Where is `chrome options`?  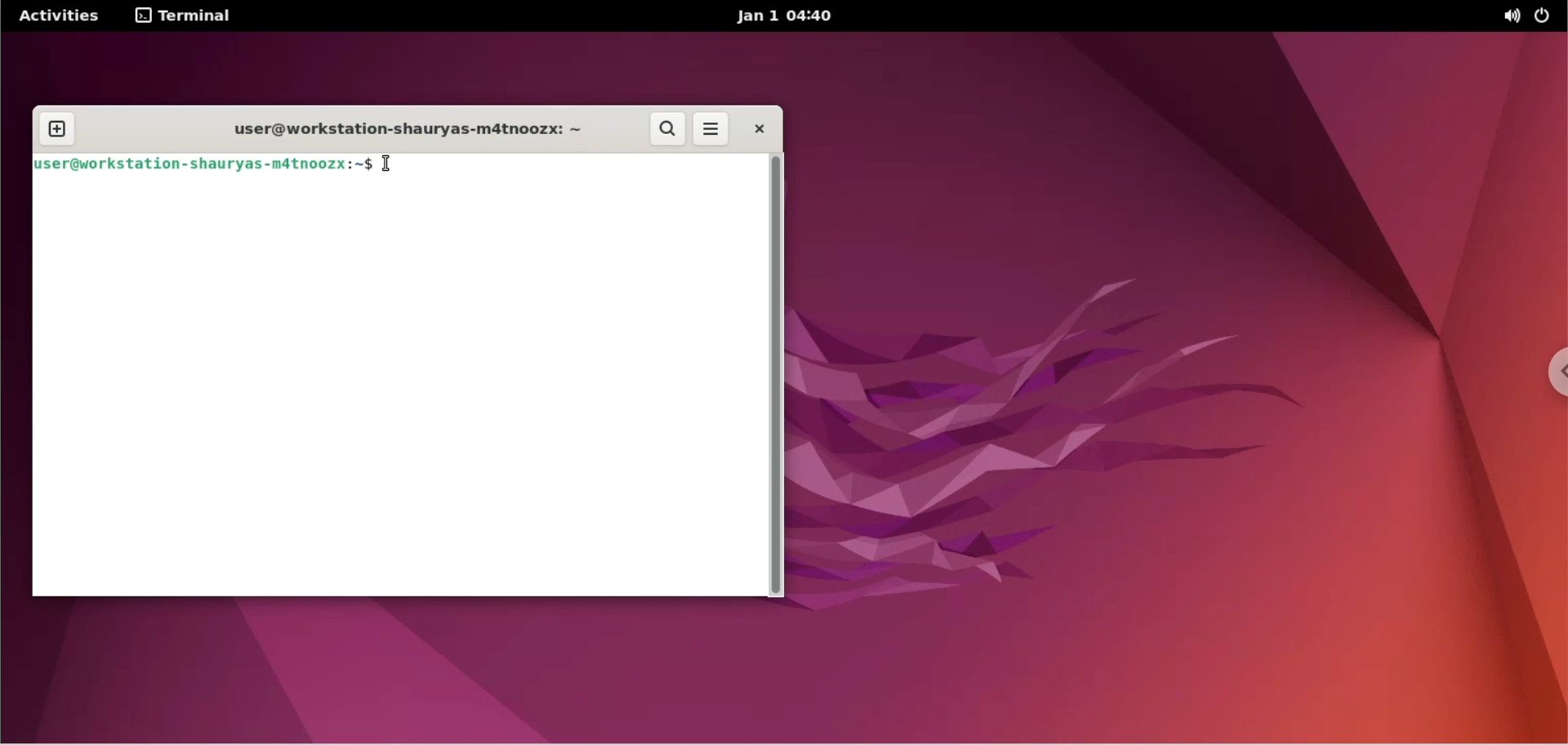 chrome options is located at coordinates (1548, 379).